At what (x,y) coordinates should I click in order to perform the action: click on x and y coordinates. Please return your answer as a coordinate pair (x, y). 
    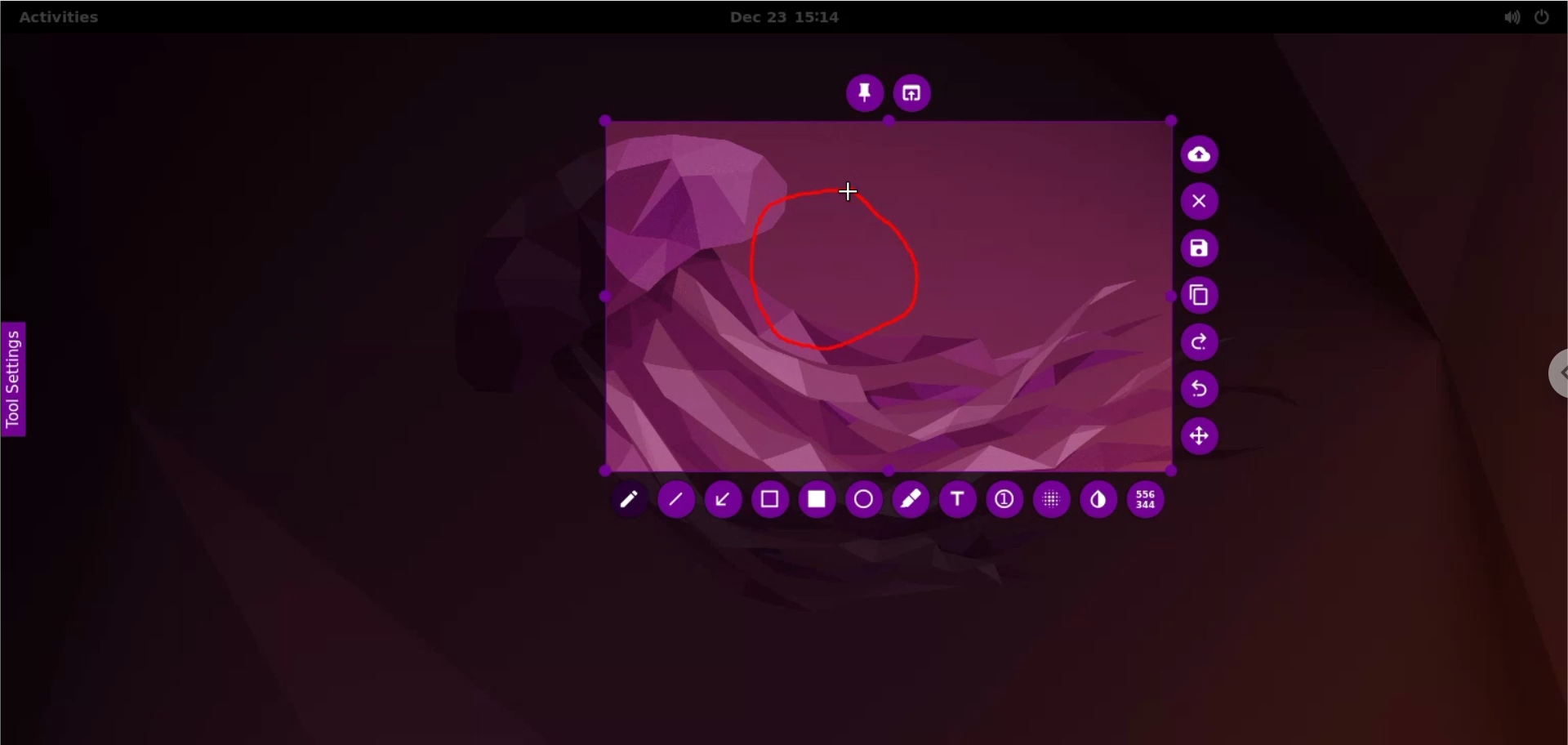
    Looking at the image, I should click on (1149, 502).